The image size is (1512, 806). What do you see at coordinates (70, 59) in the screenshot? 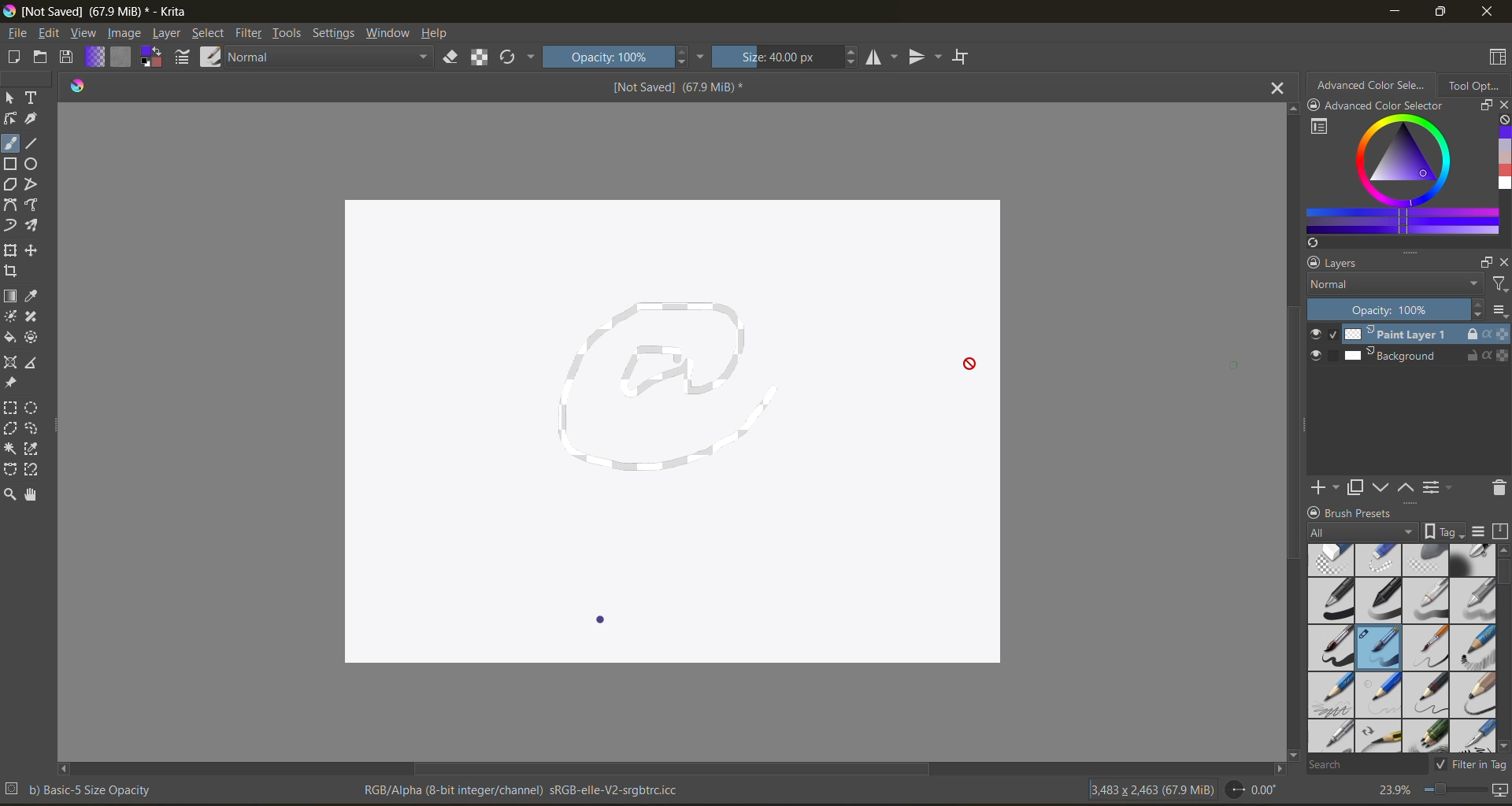
I see `save` at bounding box center [70, 59].